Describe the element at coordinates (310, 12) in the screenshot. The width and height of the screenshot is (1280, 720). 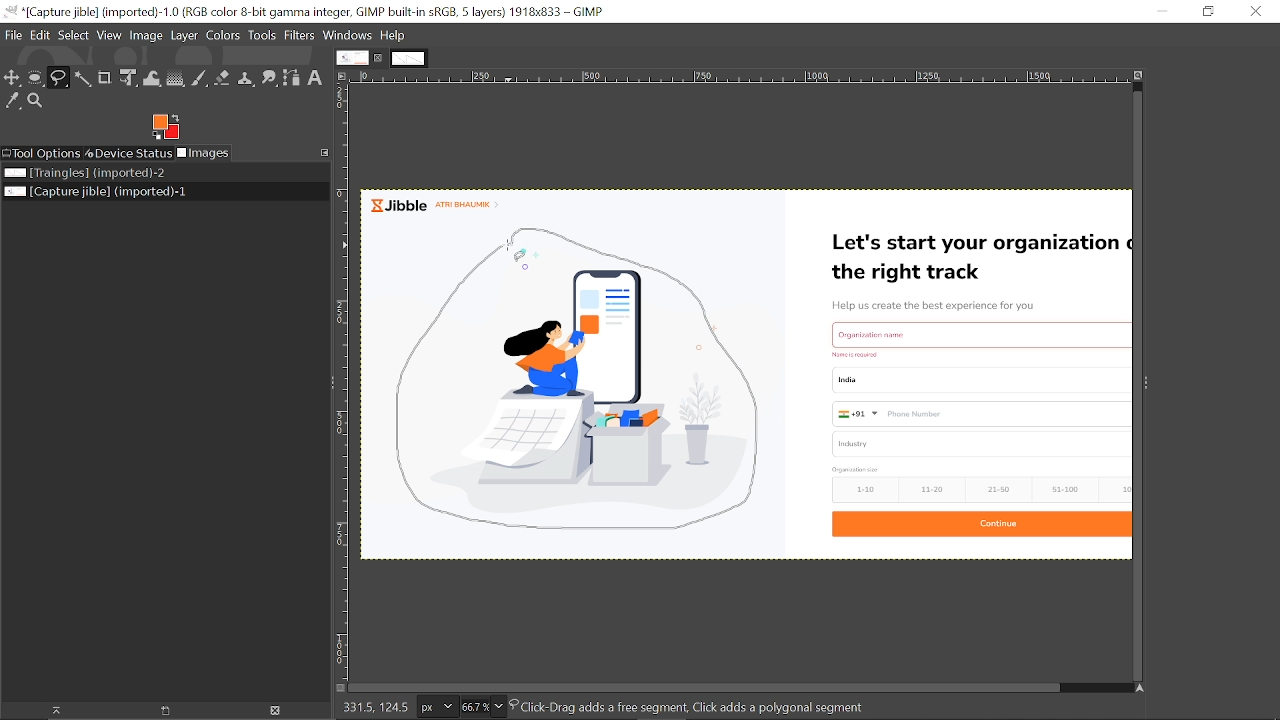
I see `Current window ` at that location.